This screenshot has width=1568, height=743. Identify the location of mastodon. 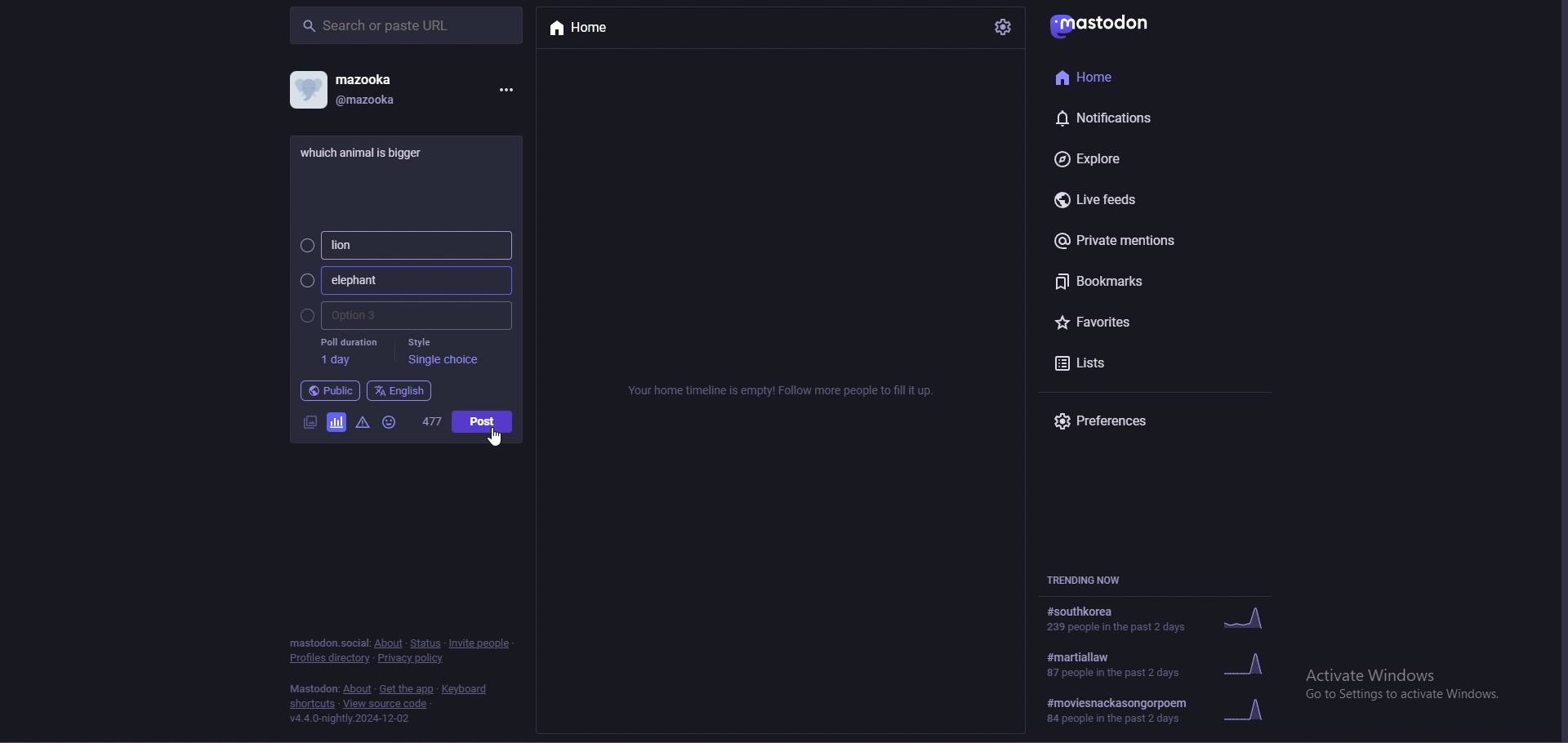
(1107, 23).